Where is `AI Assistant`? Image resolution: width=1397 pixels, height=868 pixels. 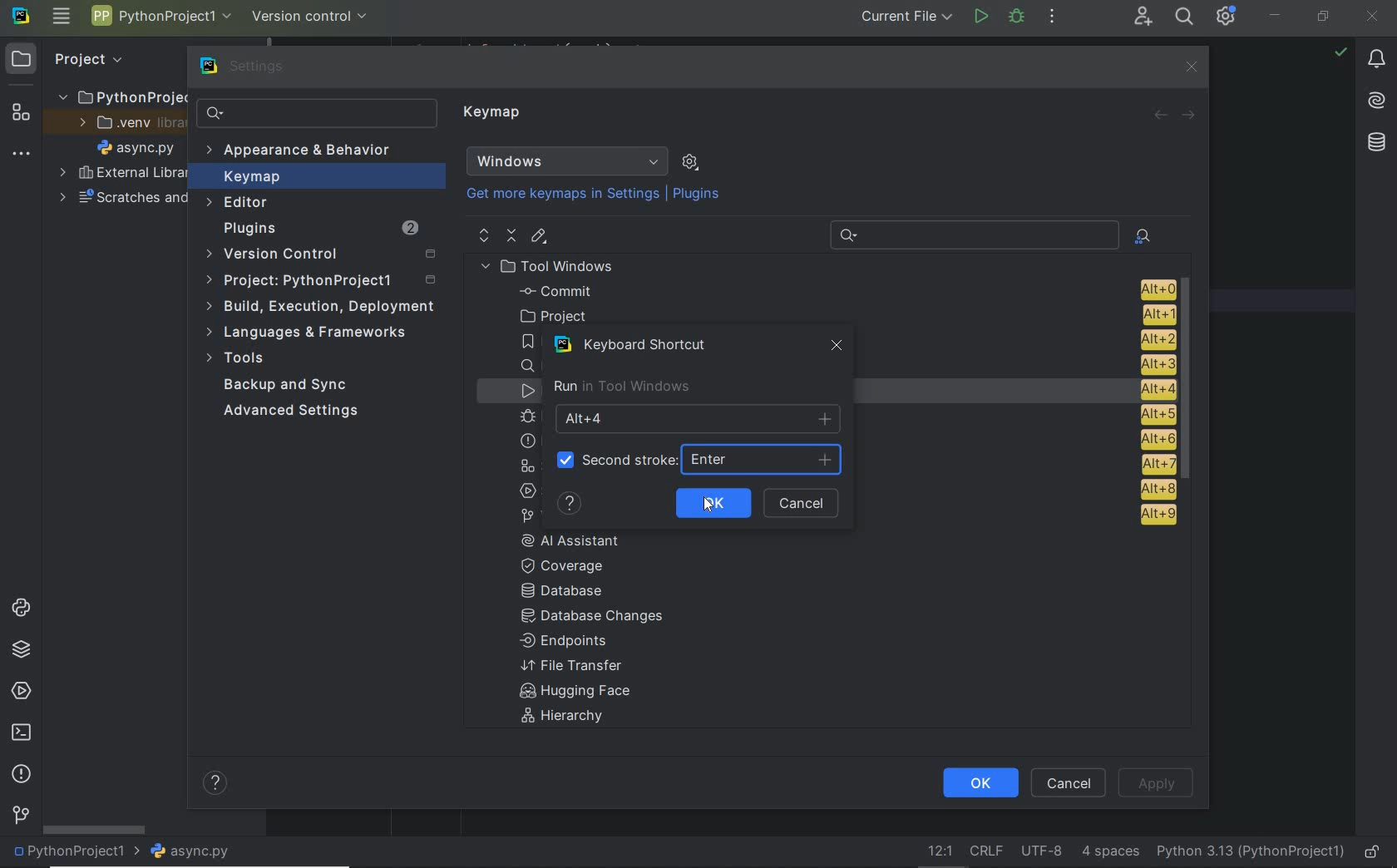 AI Assistant is located at coordinates (1378, 102).